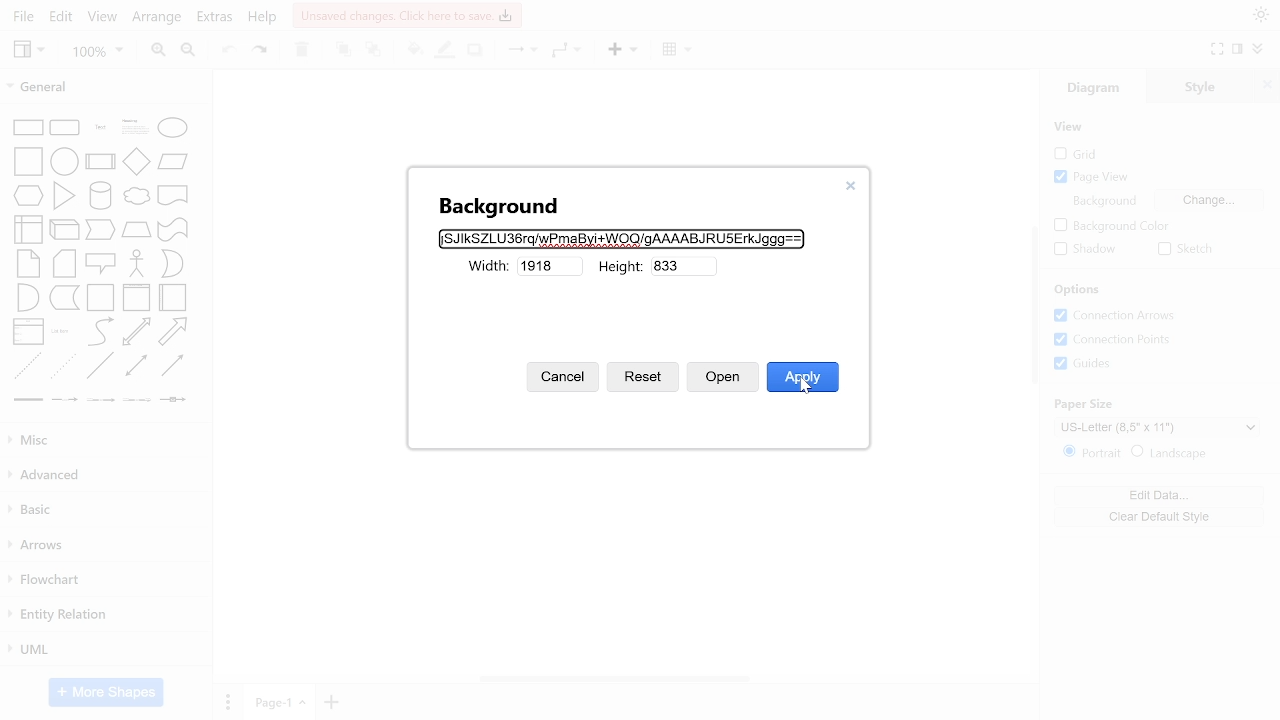 The height and width of the screenshot is (720, 1280). I want to click on view, so click(28, 50).